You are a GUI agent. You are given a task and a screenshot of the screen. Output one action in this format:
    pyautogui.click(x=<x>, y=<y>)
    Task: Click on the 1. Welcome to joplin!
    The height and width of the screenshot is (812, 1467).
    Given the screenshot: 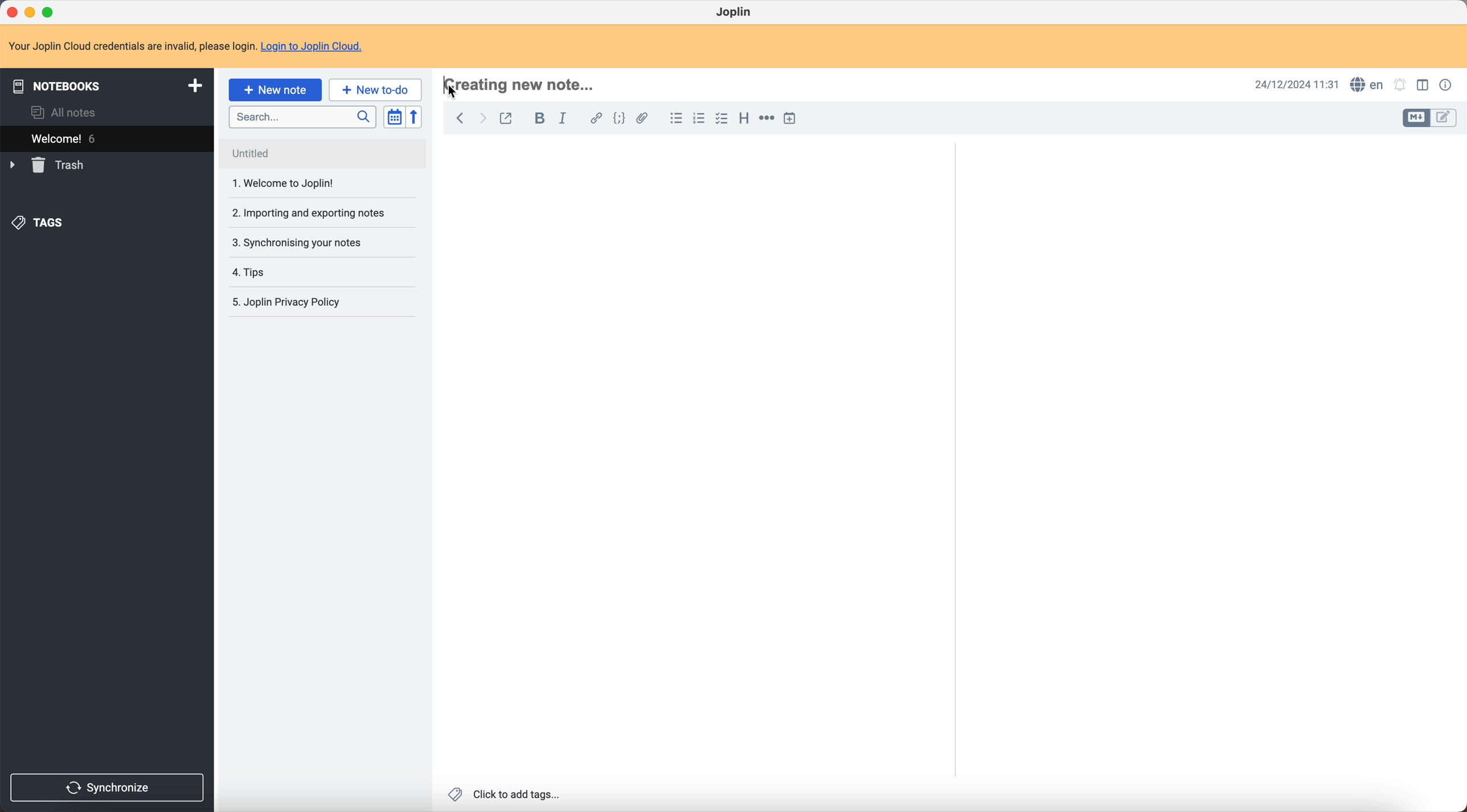 What is the action you would take?
    pyautogui.click(x=310, y=184)
    